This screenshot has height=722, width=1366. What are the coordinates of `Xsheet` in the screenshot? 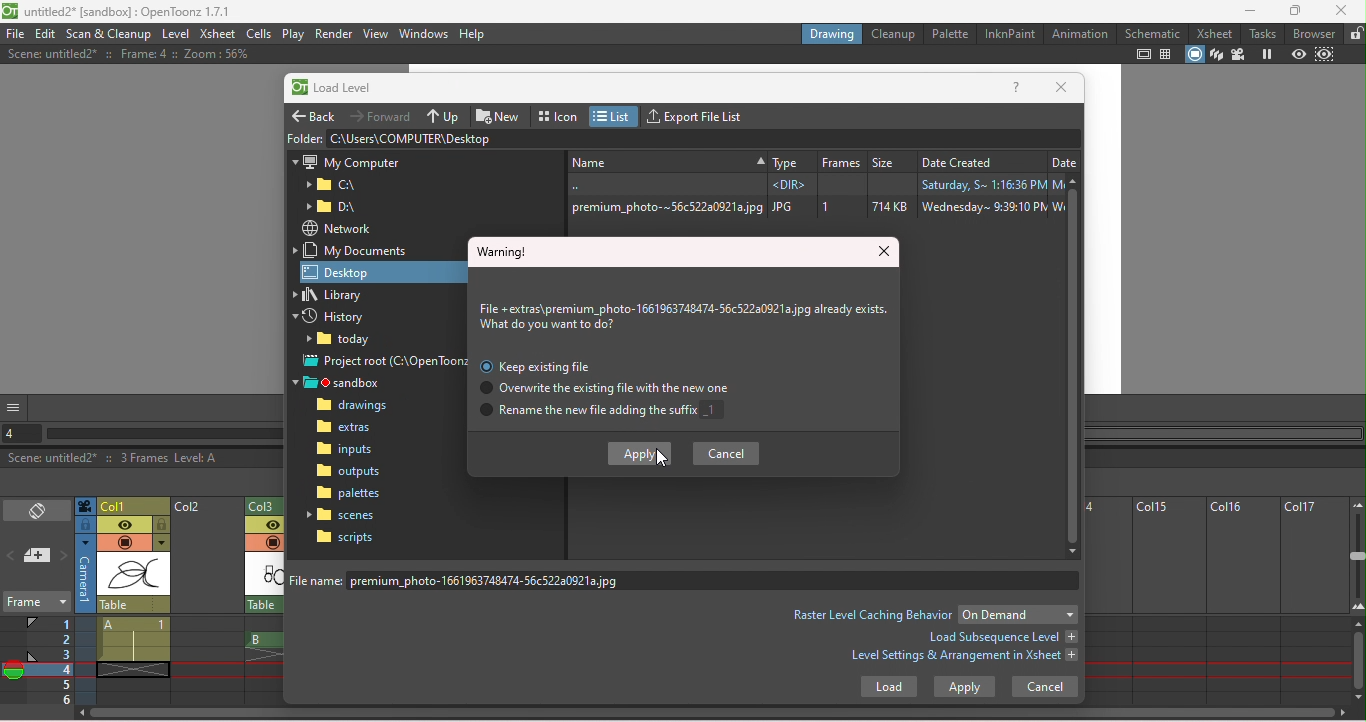 It's located at (1217, 33).